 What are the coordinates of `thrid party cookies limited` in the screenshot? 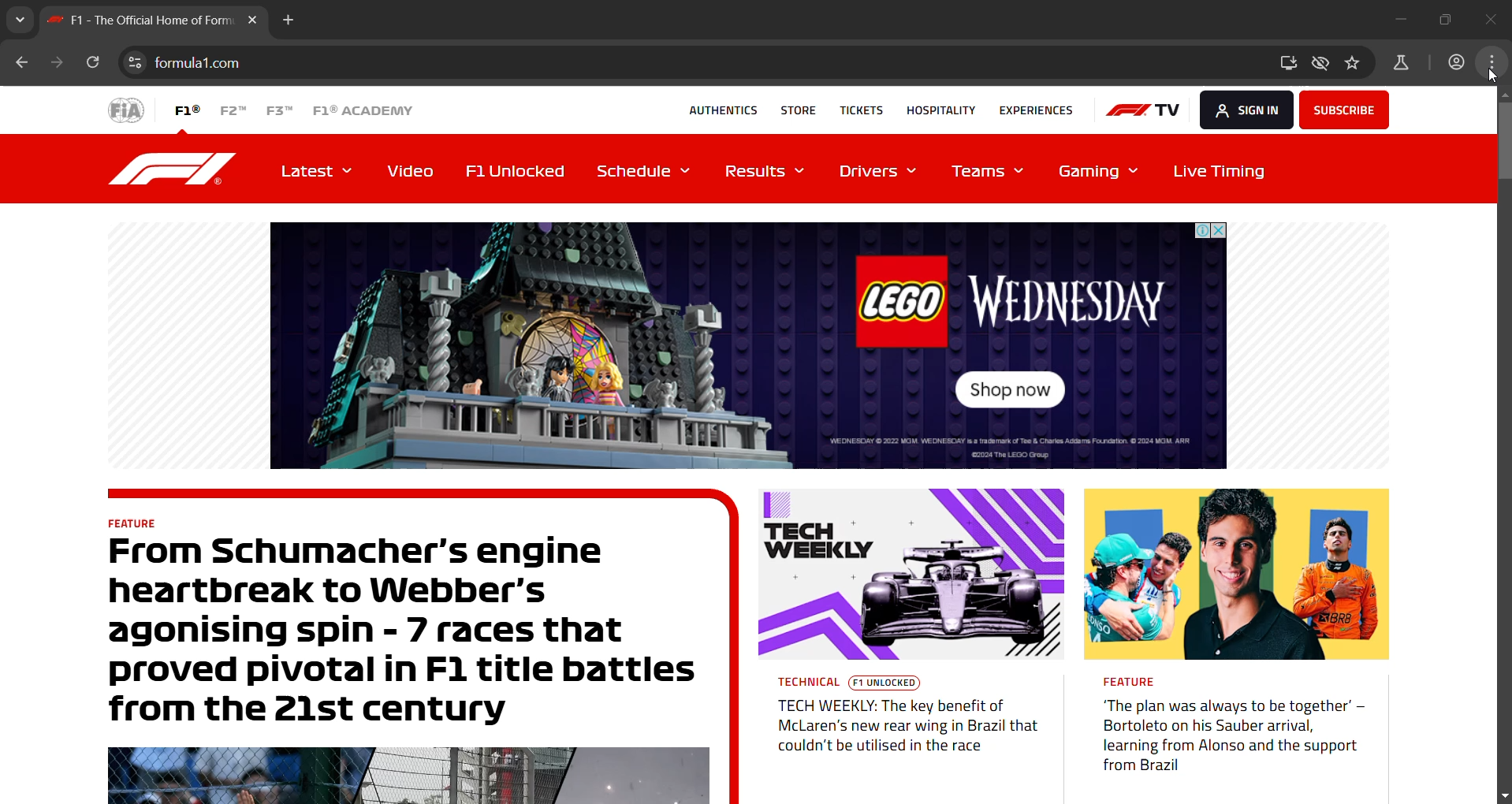 It's located at (1321, 65).